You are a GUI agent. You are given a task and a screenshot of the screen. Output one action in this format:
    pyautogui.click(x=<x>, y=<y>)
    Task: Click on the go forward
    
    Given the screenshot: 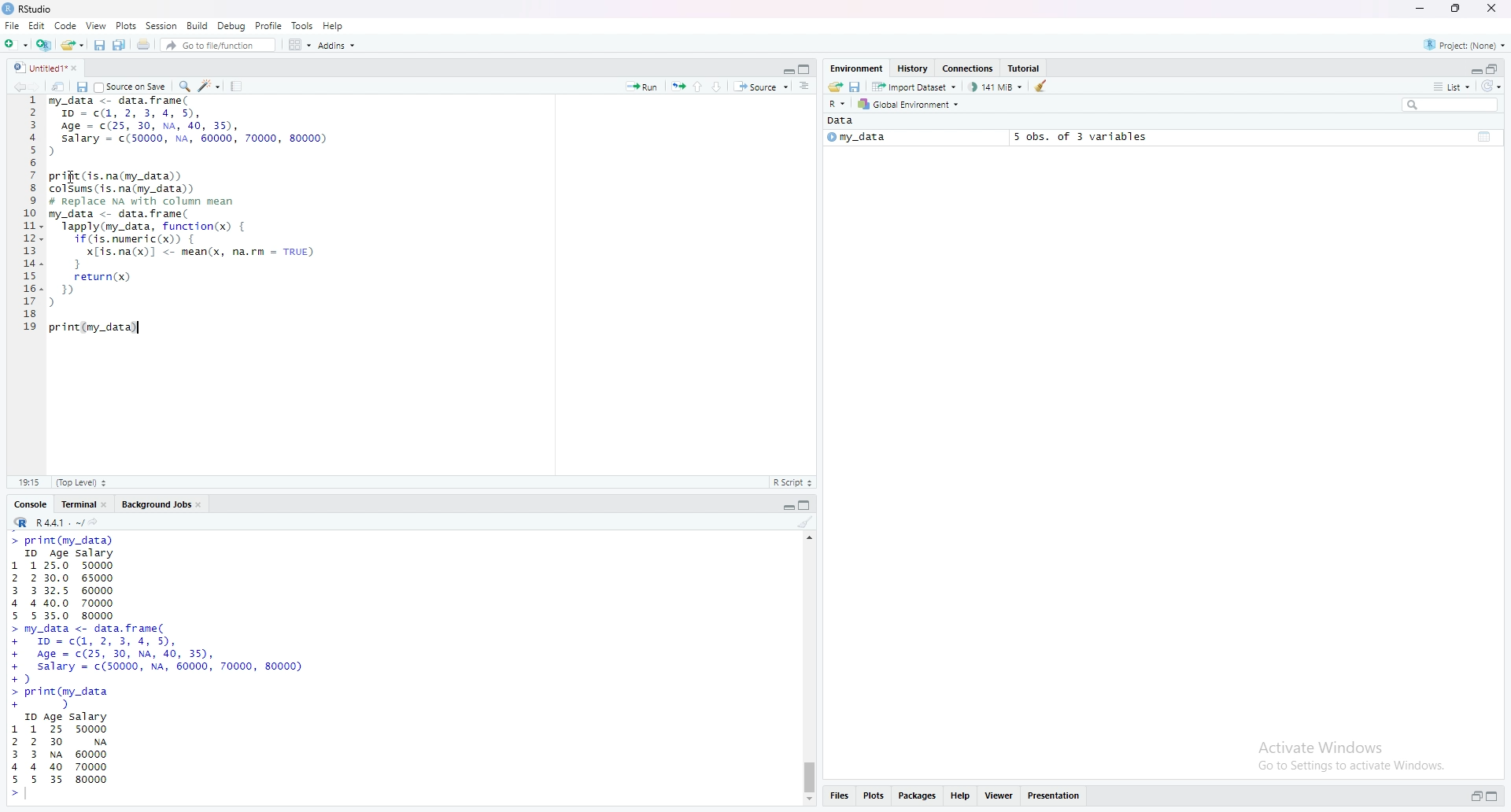 What is the action you would take?
    pyautogui.click(x=36, y=87)
    